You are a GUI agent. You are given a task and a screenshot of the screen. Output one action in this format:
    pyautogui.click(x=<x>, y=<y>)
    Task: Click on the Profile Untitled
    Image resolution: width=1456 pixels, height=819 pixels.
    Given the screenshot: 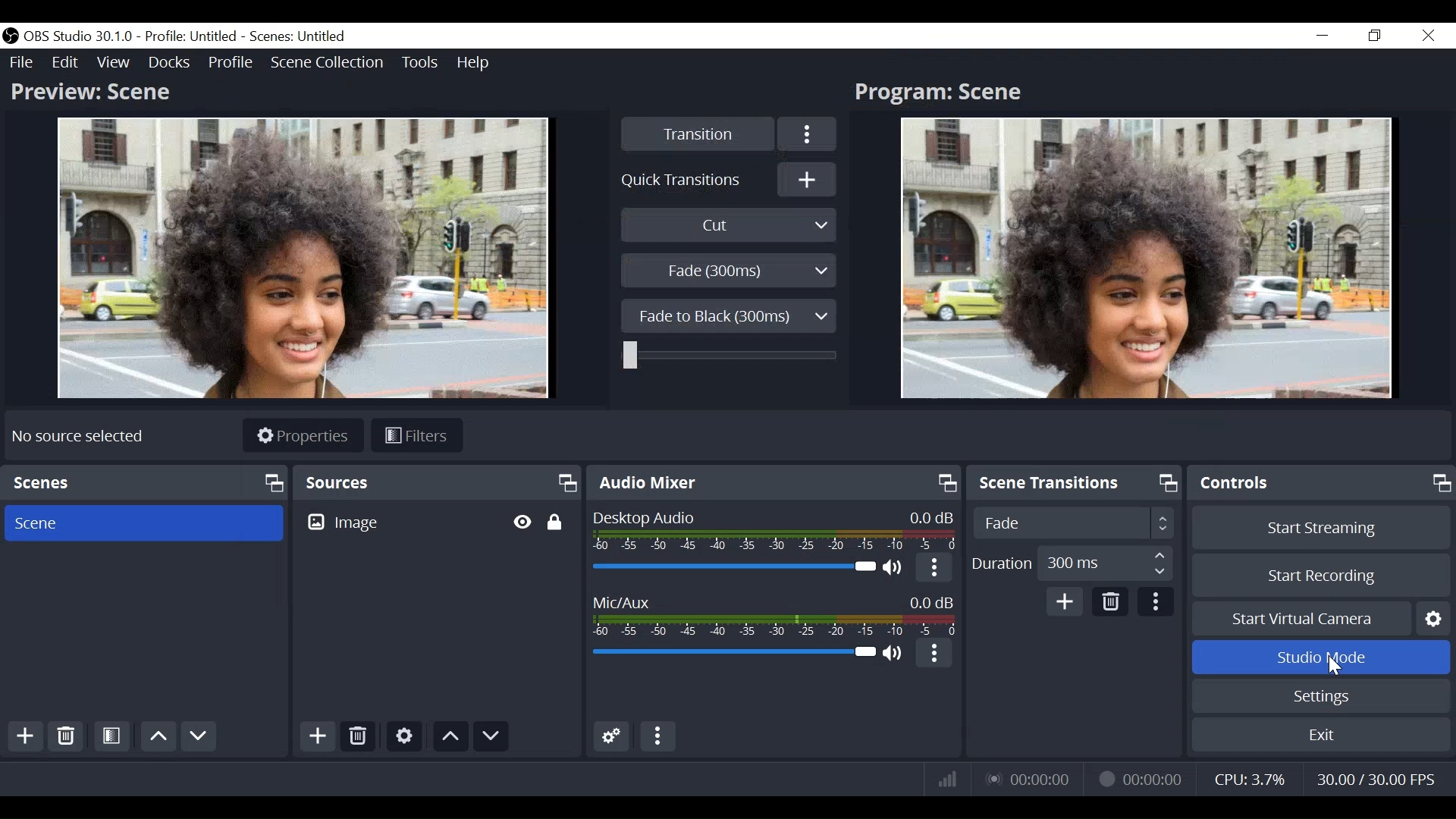 What is the action you would take?
    pyautogui.click(x=192, y=35)
    